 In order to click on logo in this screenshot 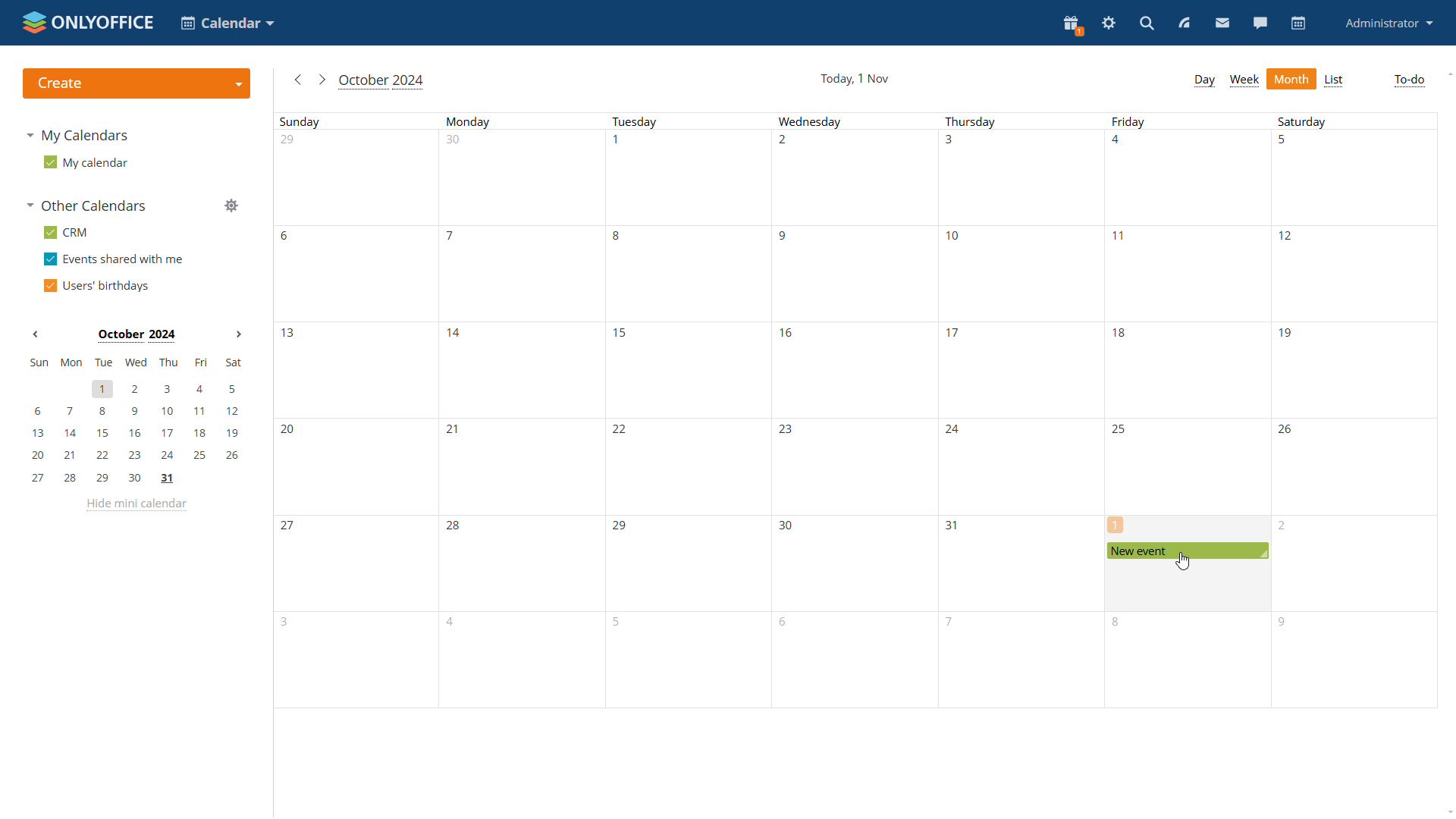, I will do `click(88, 21)`.